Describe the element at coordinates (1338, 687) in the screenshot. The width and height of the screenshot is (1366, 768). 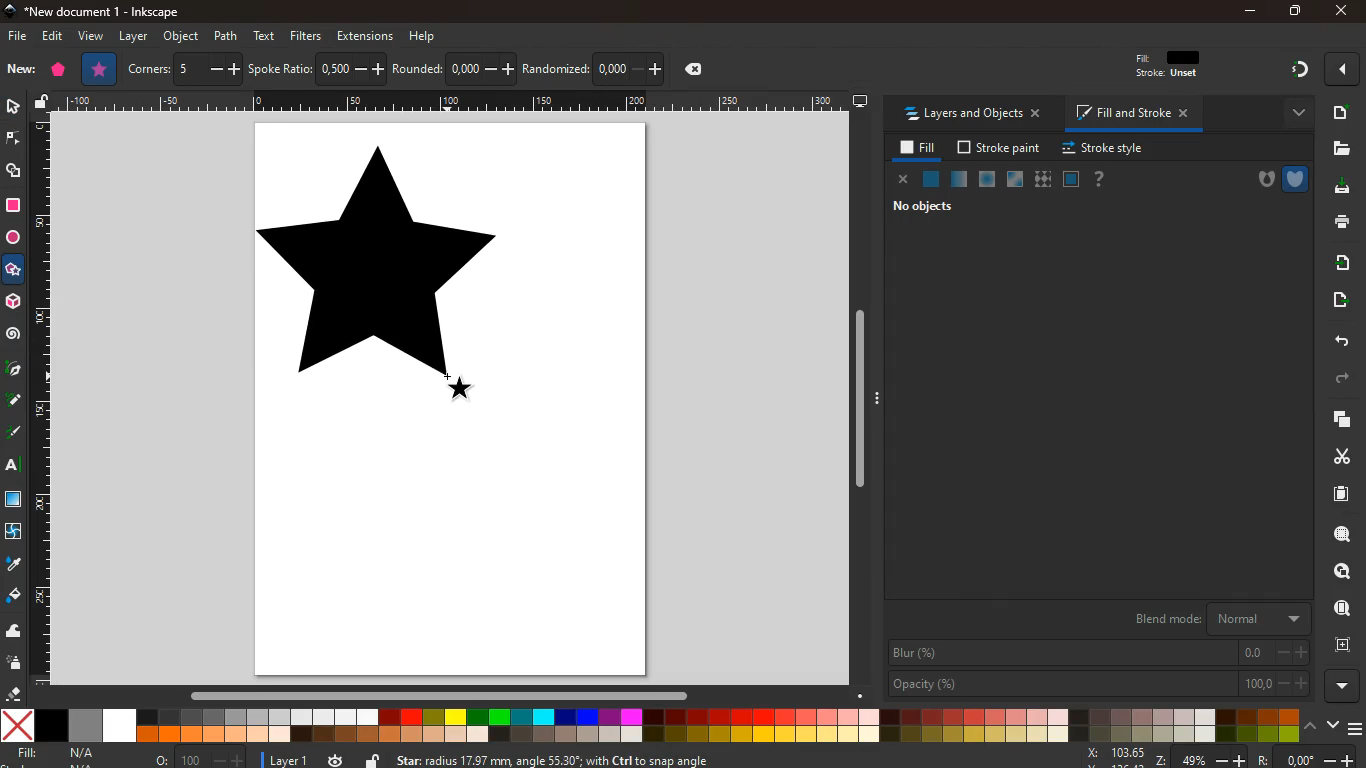
I see `more` at that location.